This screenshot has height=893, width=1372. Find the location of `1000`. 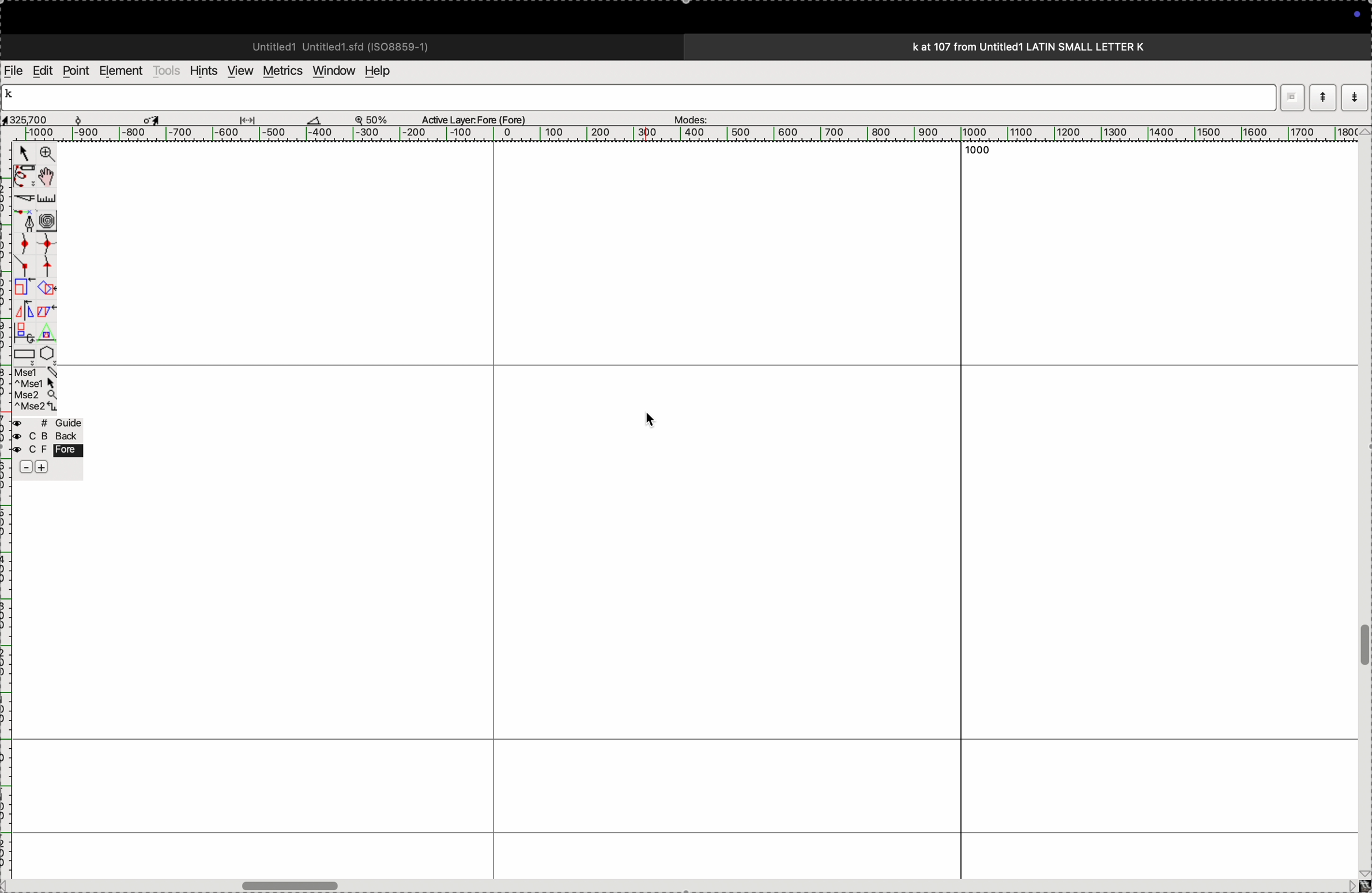

1000 is located at coordinates (971, 153).